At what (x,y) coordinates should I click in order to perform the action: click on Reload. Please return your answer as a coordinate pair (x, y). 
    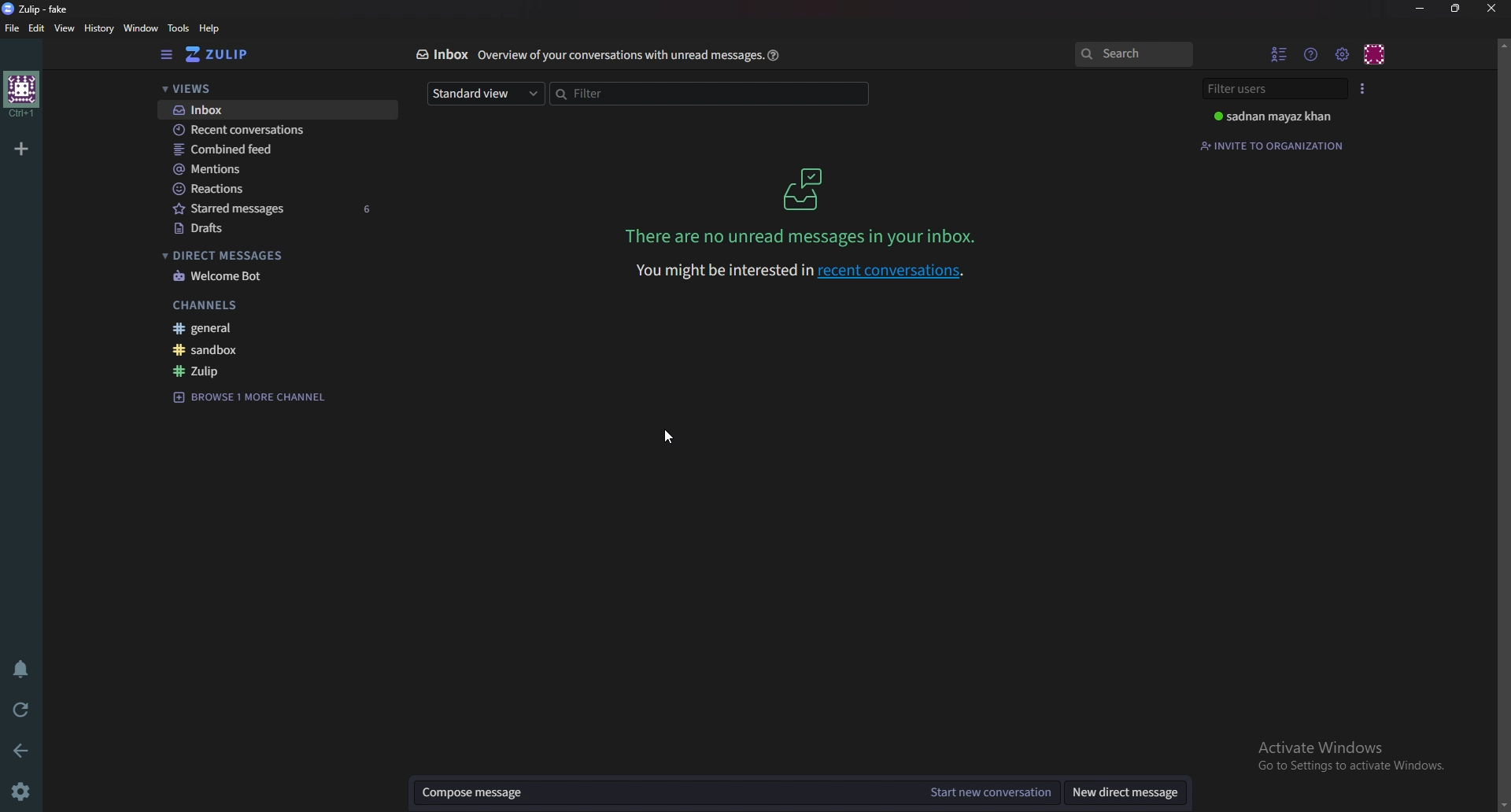
    Looking at the image, I should click on (17, 708).